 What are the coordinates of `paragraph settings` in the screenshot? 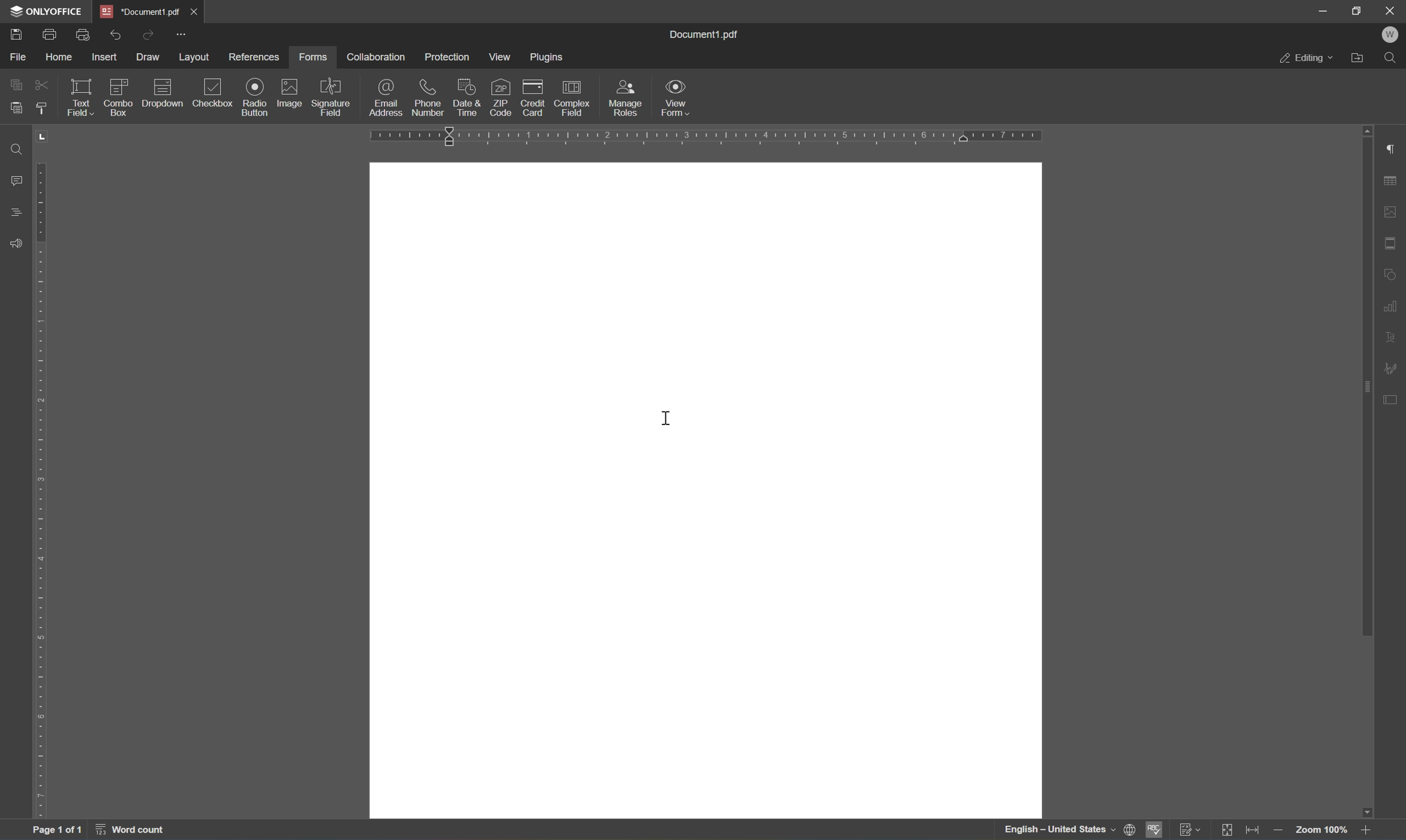 It's located at (1393, 144).